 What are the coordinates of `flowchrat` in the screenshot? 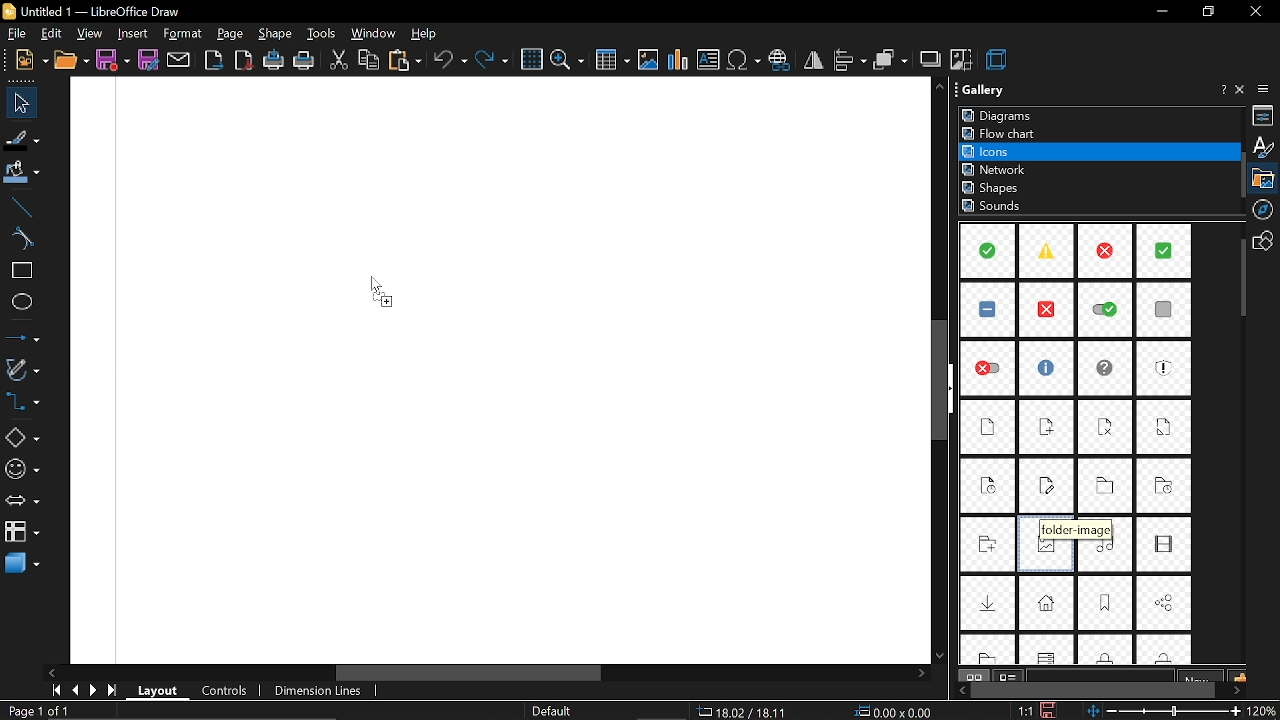 It's located at (1003, 133).